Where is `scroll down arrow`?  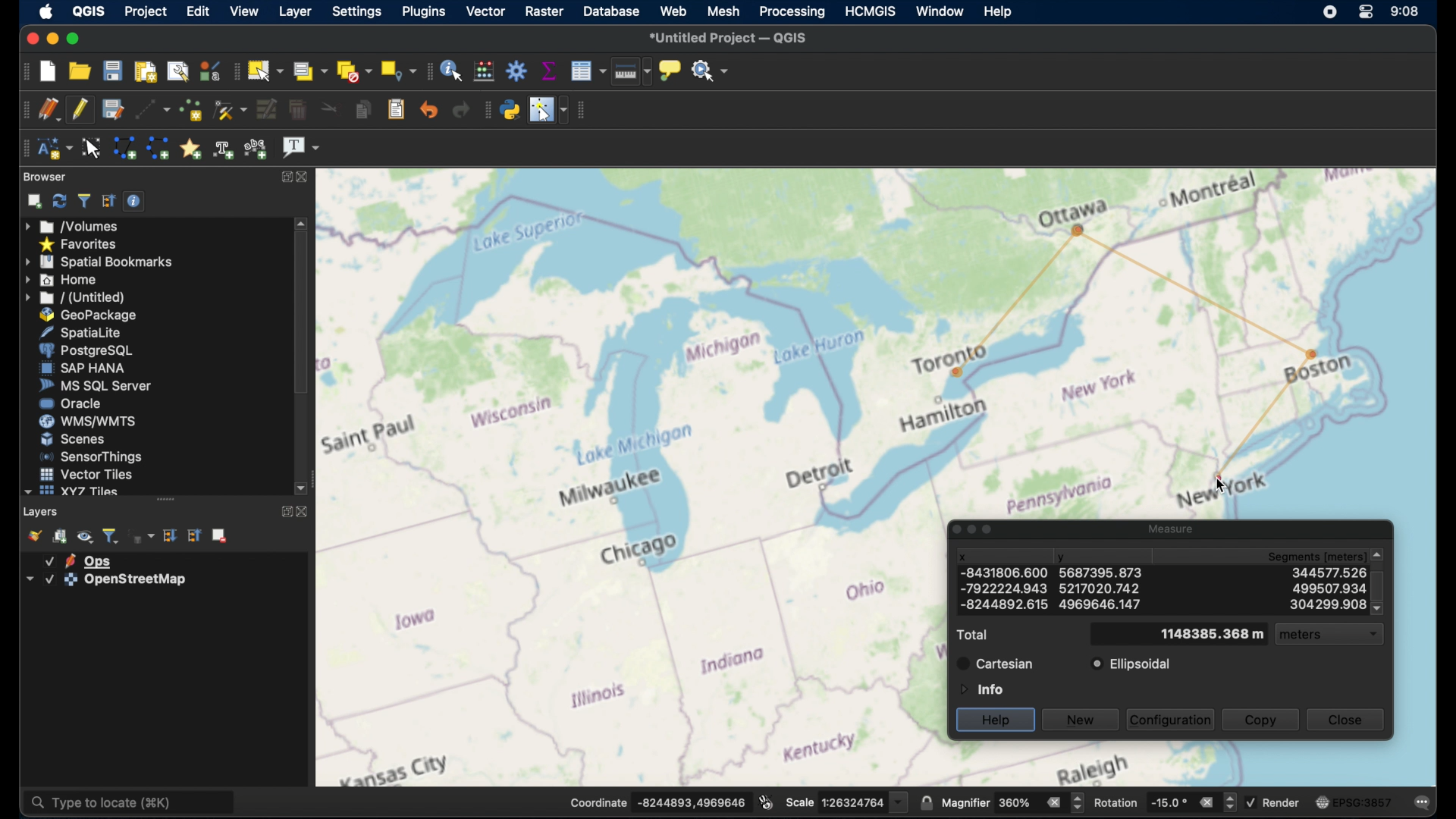
scroll down arrow is located at coordinates (303, 489).